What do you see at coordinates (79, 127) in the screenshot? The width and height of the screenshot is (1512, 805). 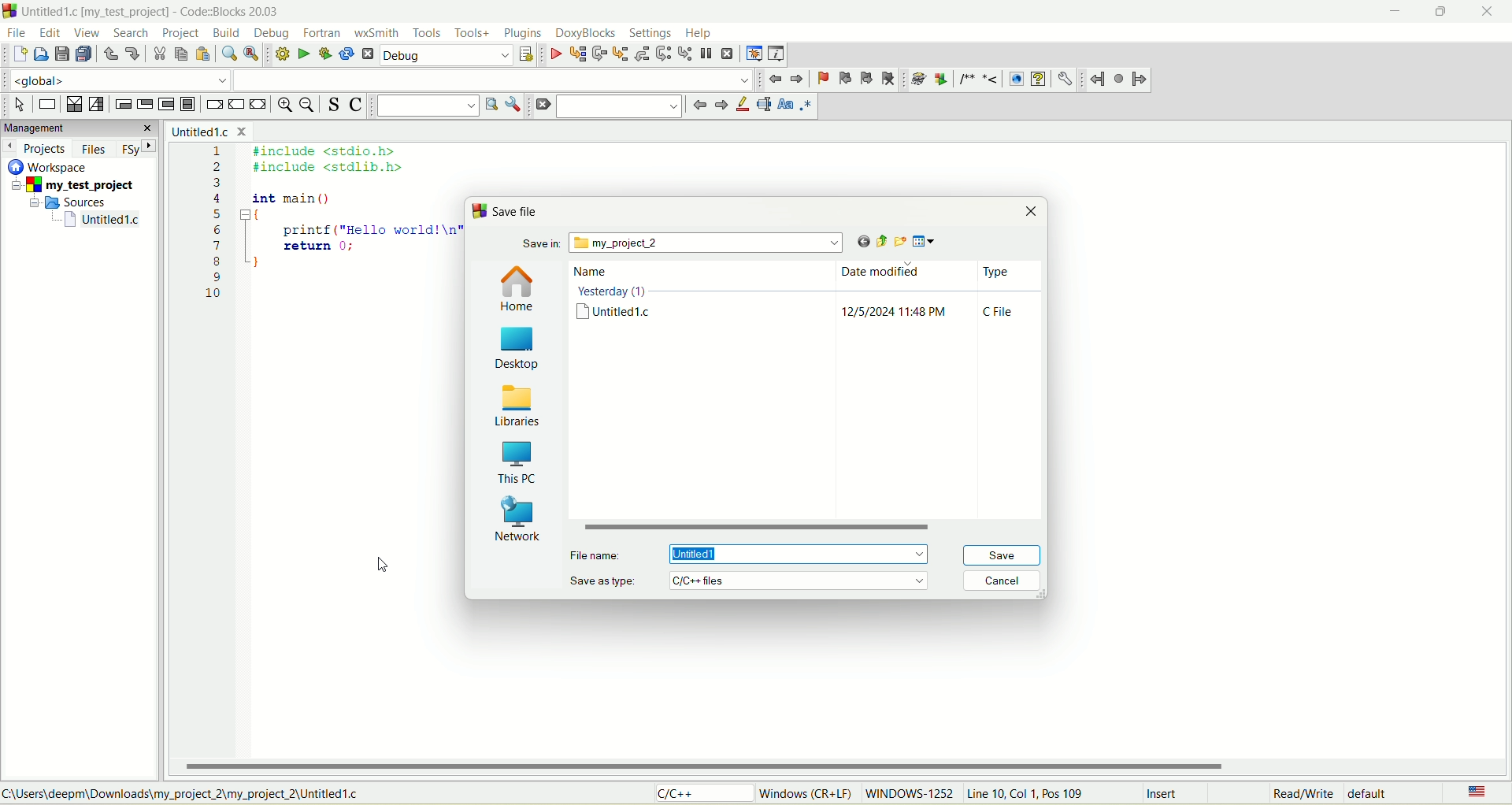 I see `management` at bounding box center [79, 127].